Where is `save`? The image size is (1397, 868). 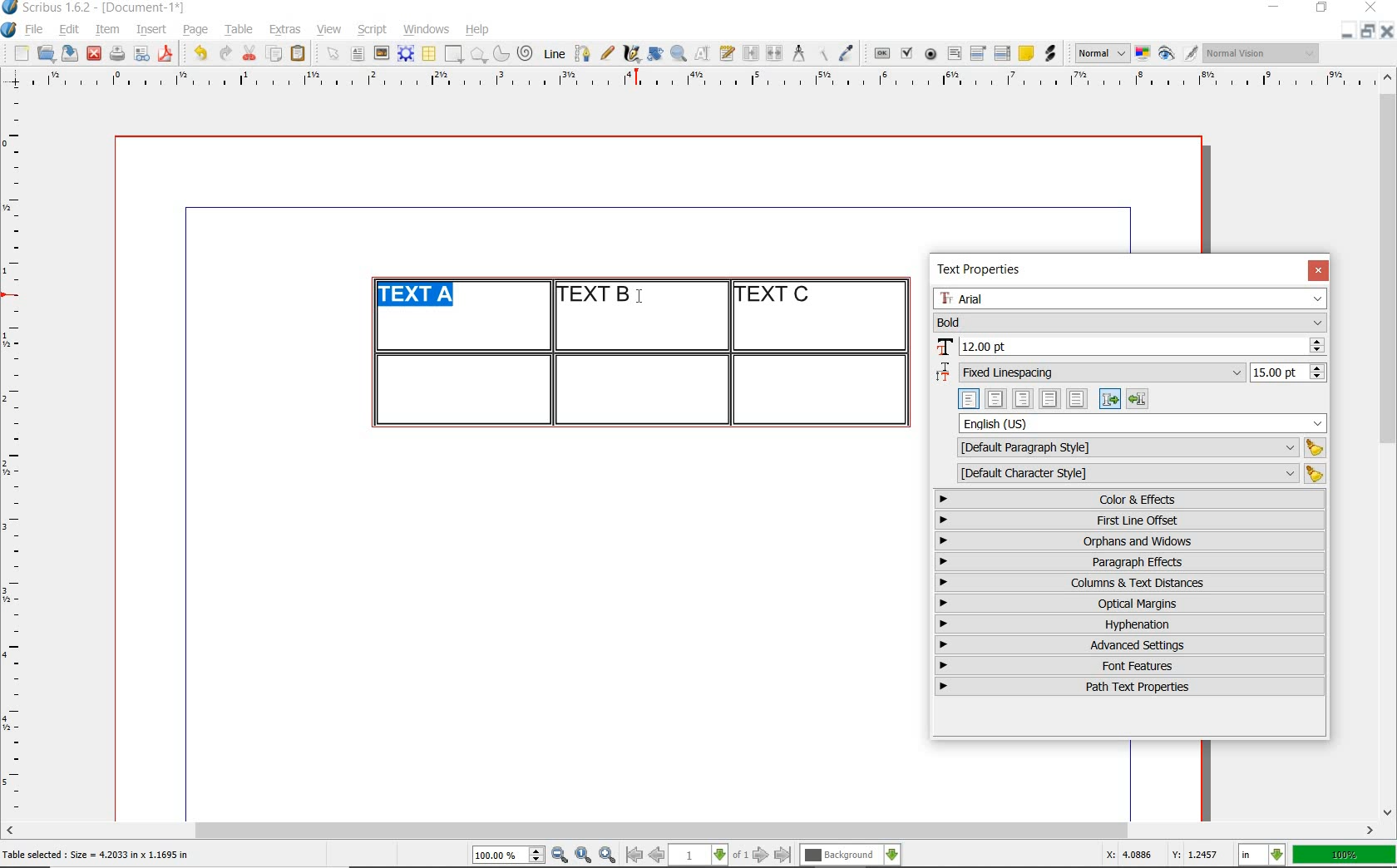
save is located at coordinates (67, 53).